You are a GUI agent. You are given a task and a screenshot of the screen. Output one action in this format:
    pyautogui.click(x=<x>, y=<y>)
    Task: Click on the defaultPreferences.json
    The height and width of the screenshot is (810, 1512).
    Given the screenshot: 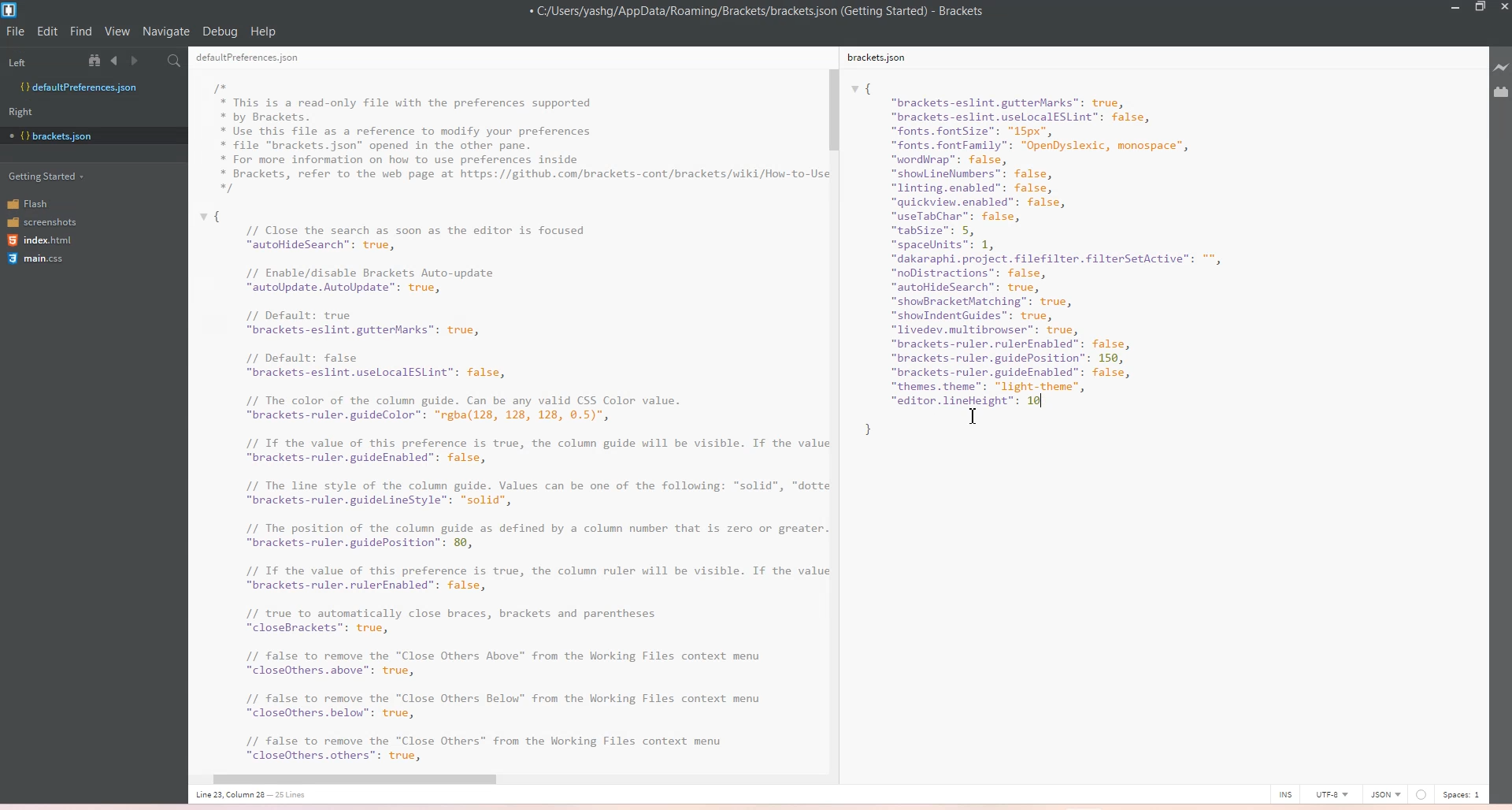 What is the action you would take?
    pyautogui.click(x=251, y=58)
    